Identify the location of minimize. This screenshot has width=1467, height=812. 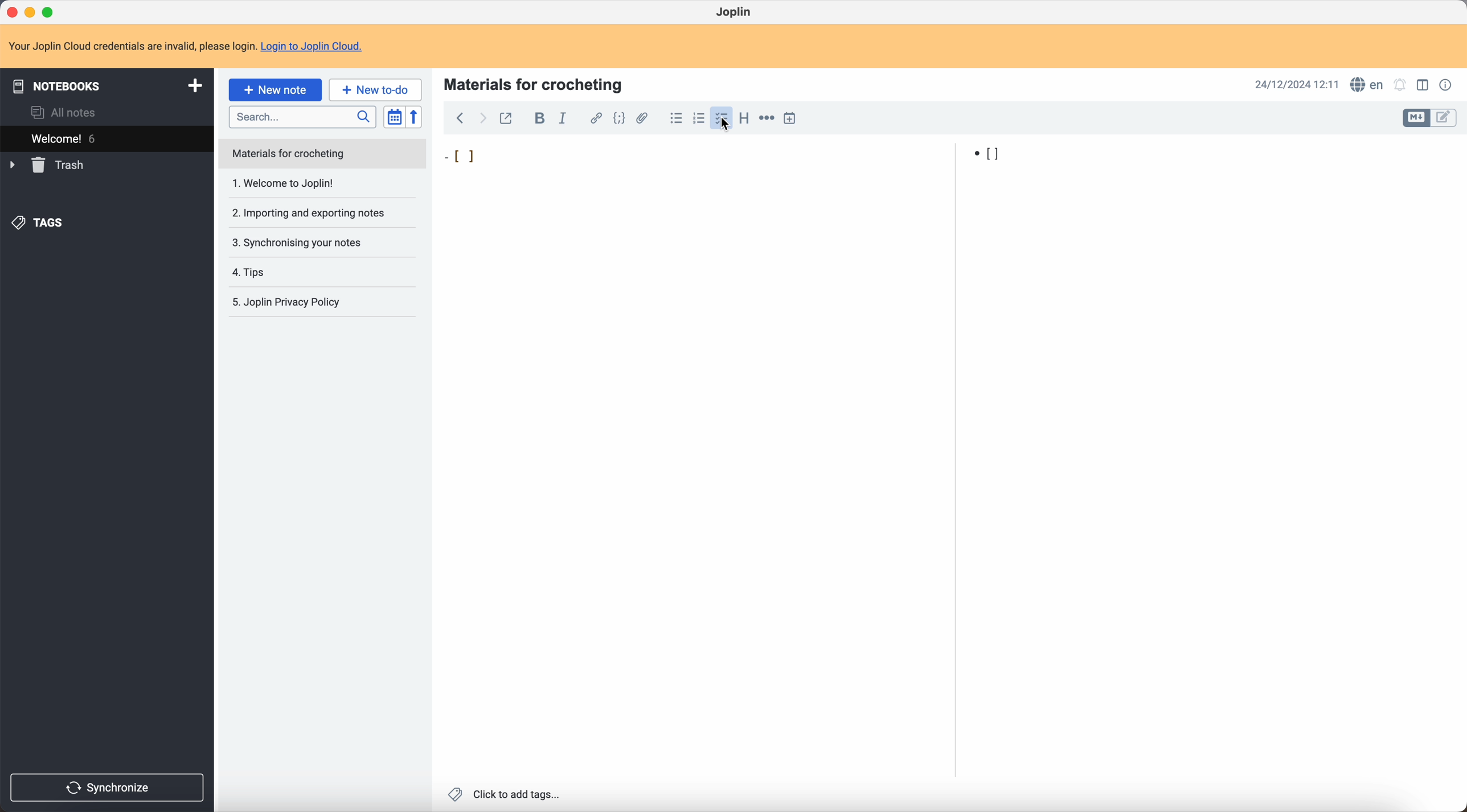
(32, 13).